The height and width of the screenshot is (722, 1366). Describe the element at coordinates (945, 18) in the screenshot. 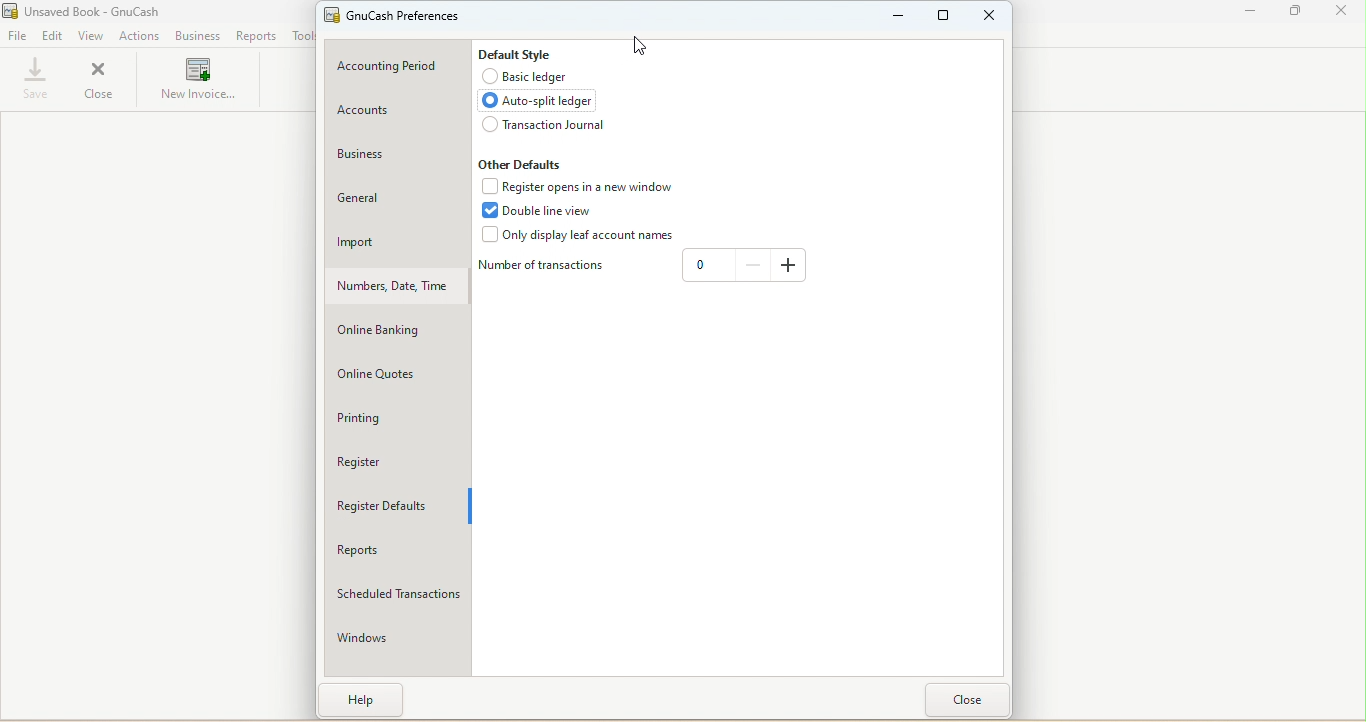

I see `Maxmize` at that location.